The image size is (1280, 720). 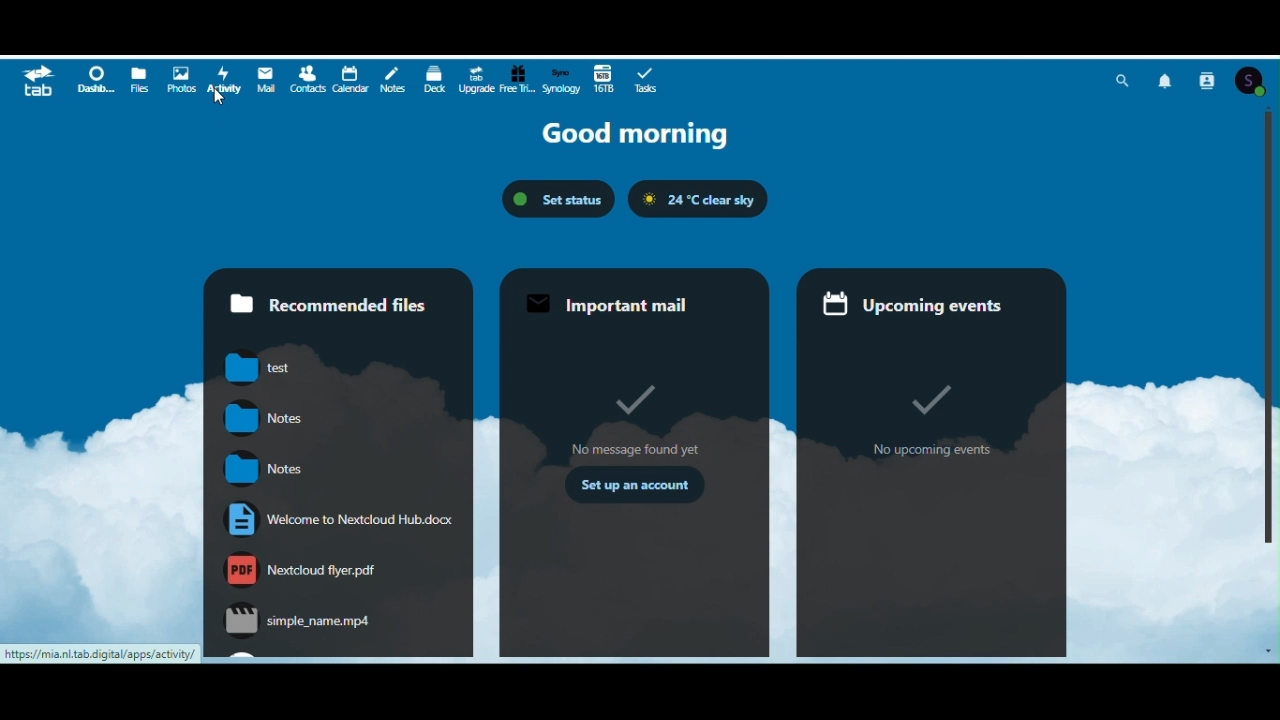 I want to click on Good morning, so click(x=633, y=131).